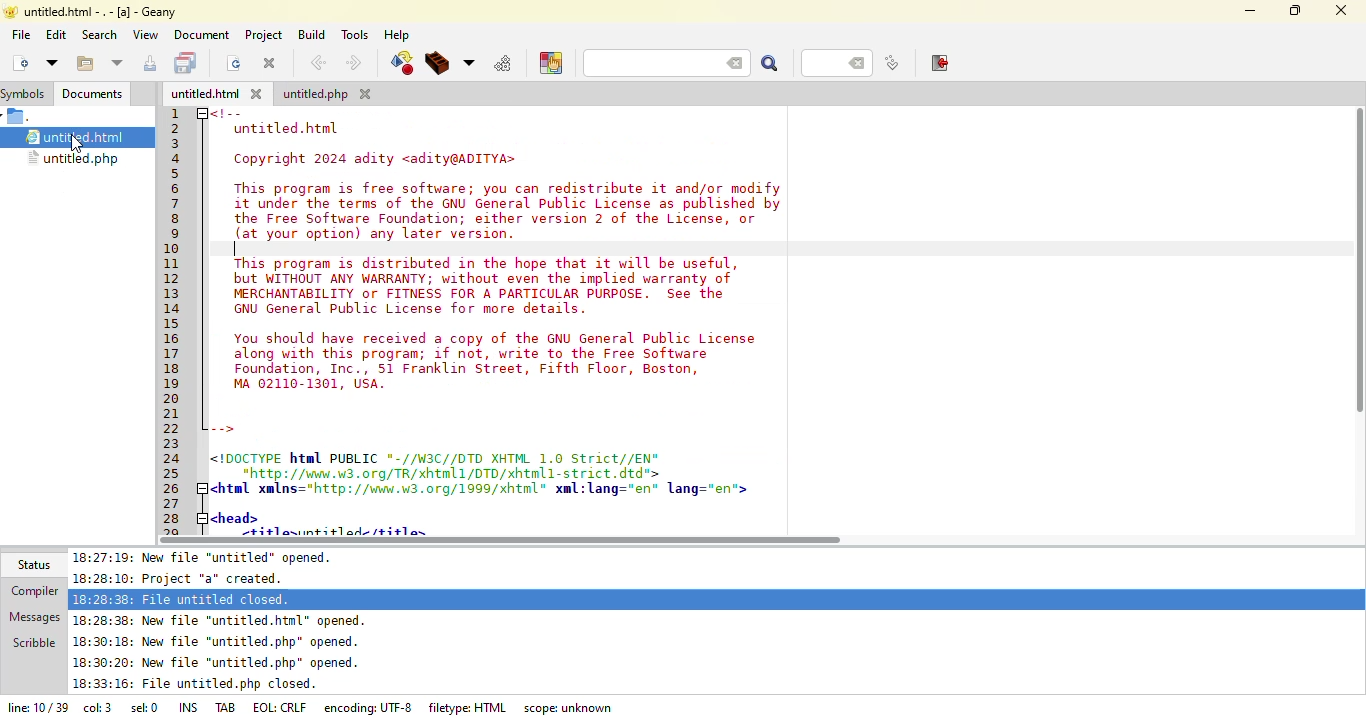 The image size is (1366, 718). I want to click on status, so click(32, 564).